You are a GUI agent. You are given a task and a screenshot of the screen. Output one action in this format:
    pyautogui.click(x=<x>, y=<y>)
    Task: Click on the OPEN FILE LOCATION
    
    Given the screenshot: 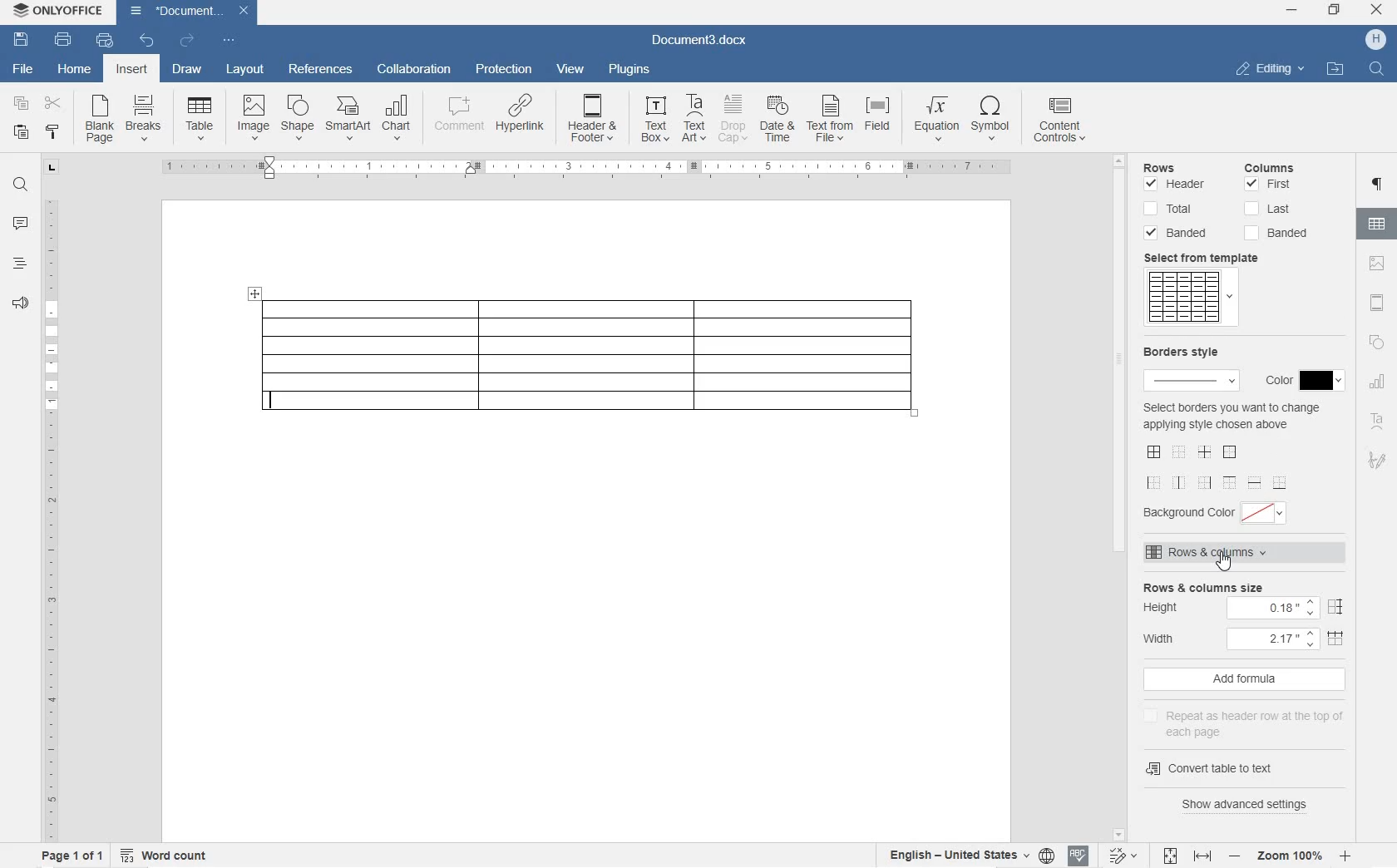 What is the action you would take?
    pyautogui.click(x=1333, y=67)
    